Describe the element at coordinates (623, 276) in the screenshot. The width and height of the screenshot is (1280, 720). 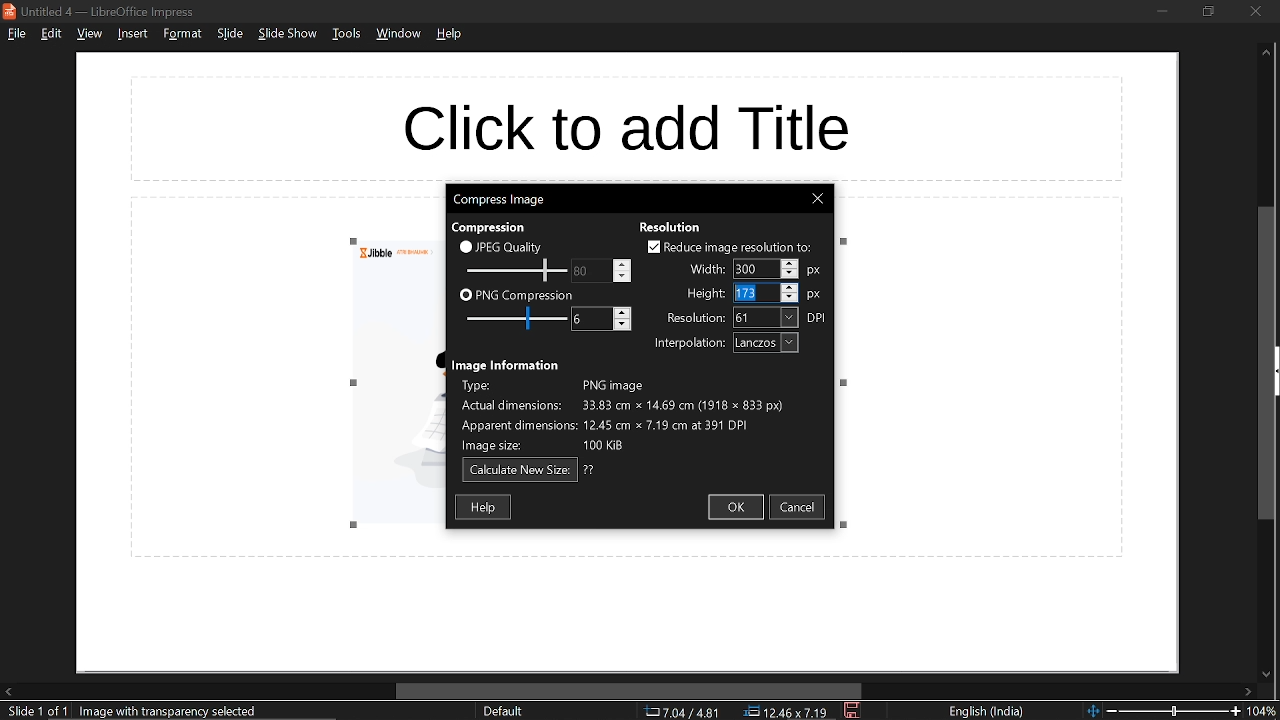
I see `Decrease ` at that location.